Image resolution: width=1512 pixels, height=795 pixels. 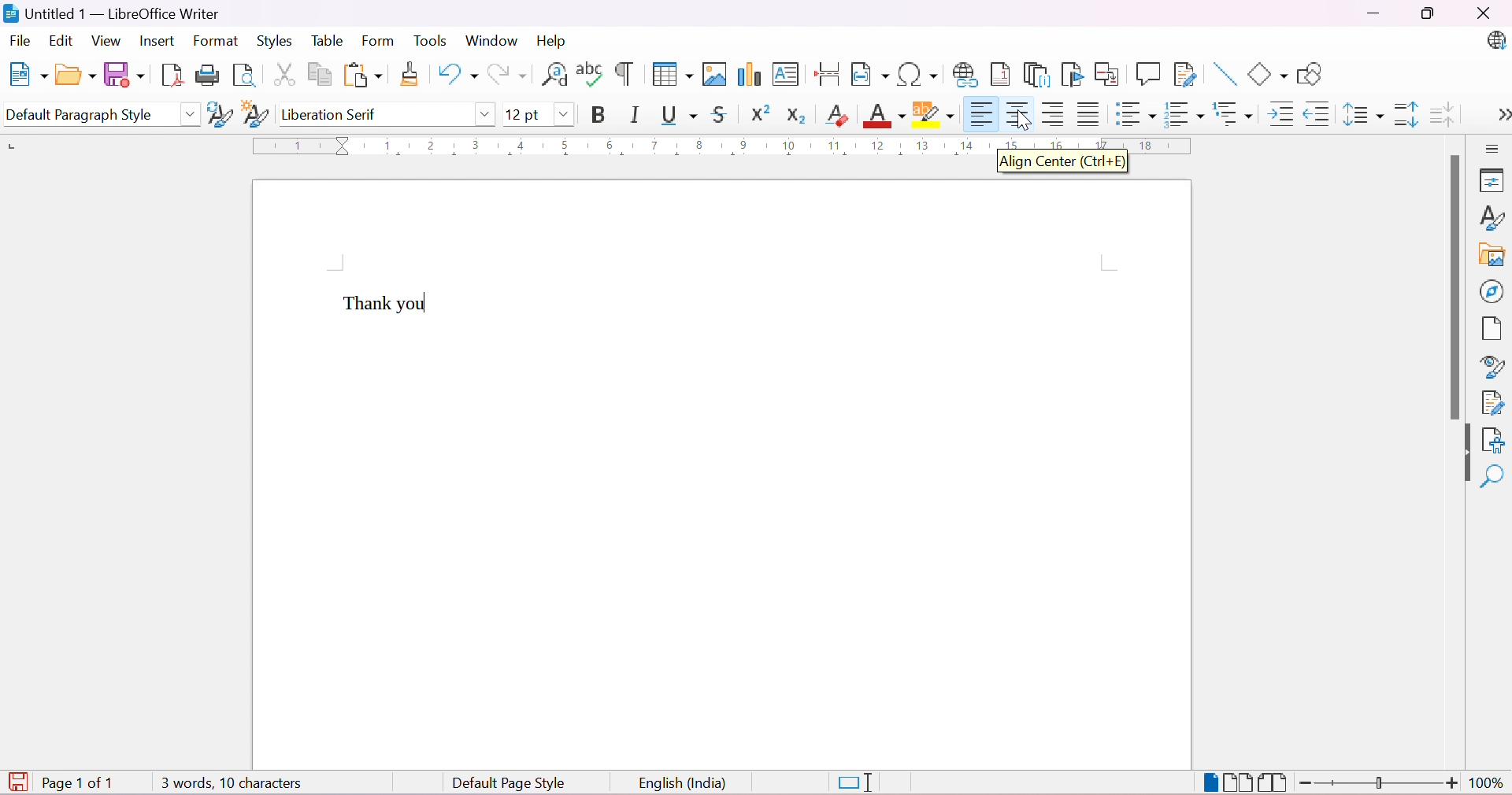 I want to click on Insert Bookmark, so click(x=1070, y=74).